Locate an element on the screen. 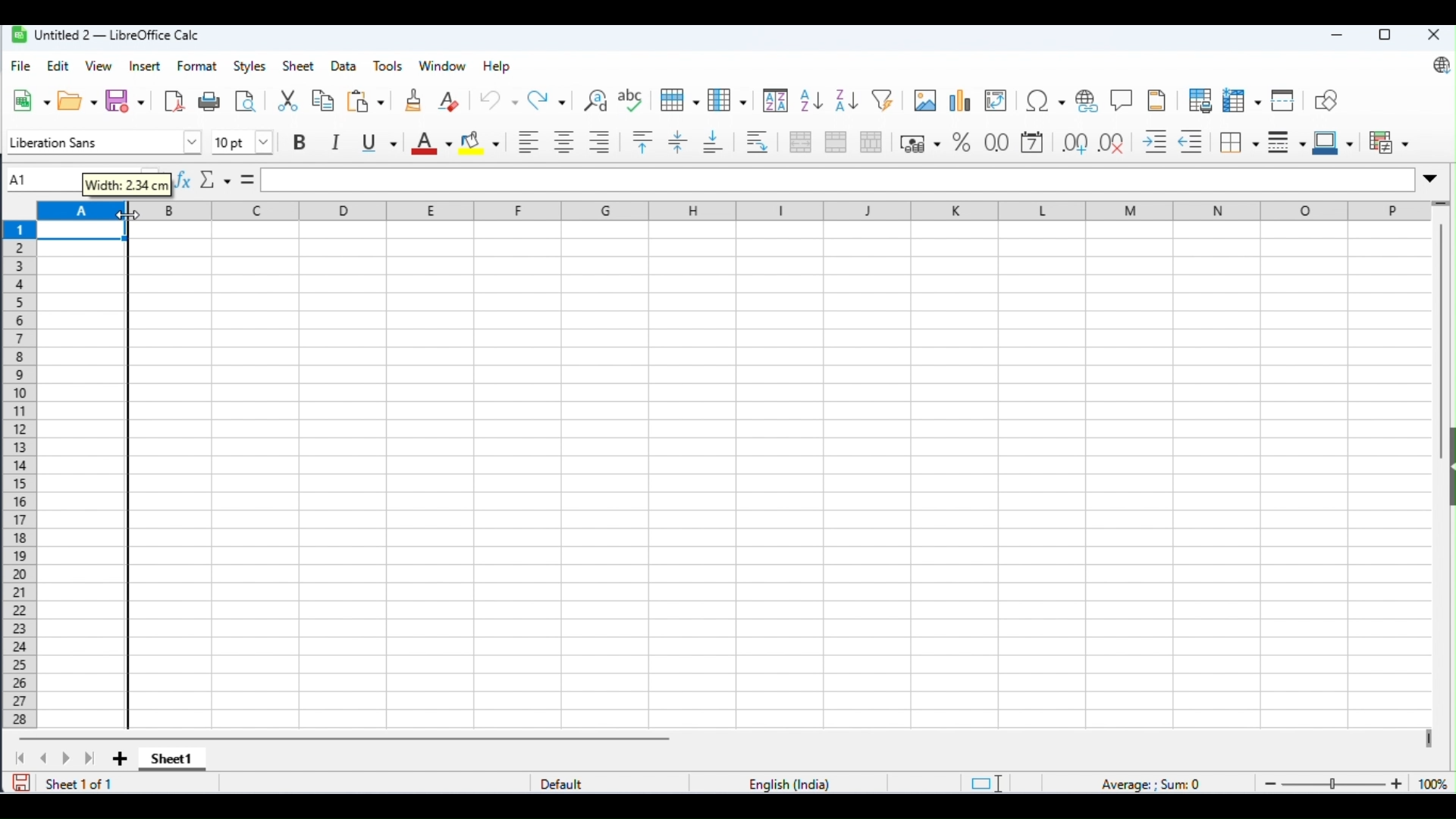 This screenshot has height=819, width=1456. save is located at coordinates (22, 782).